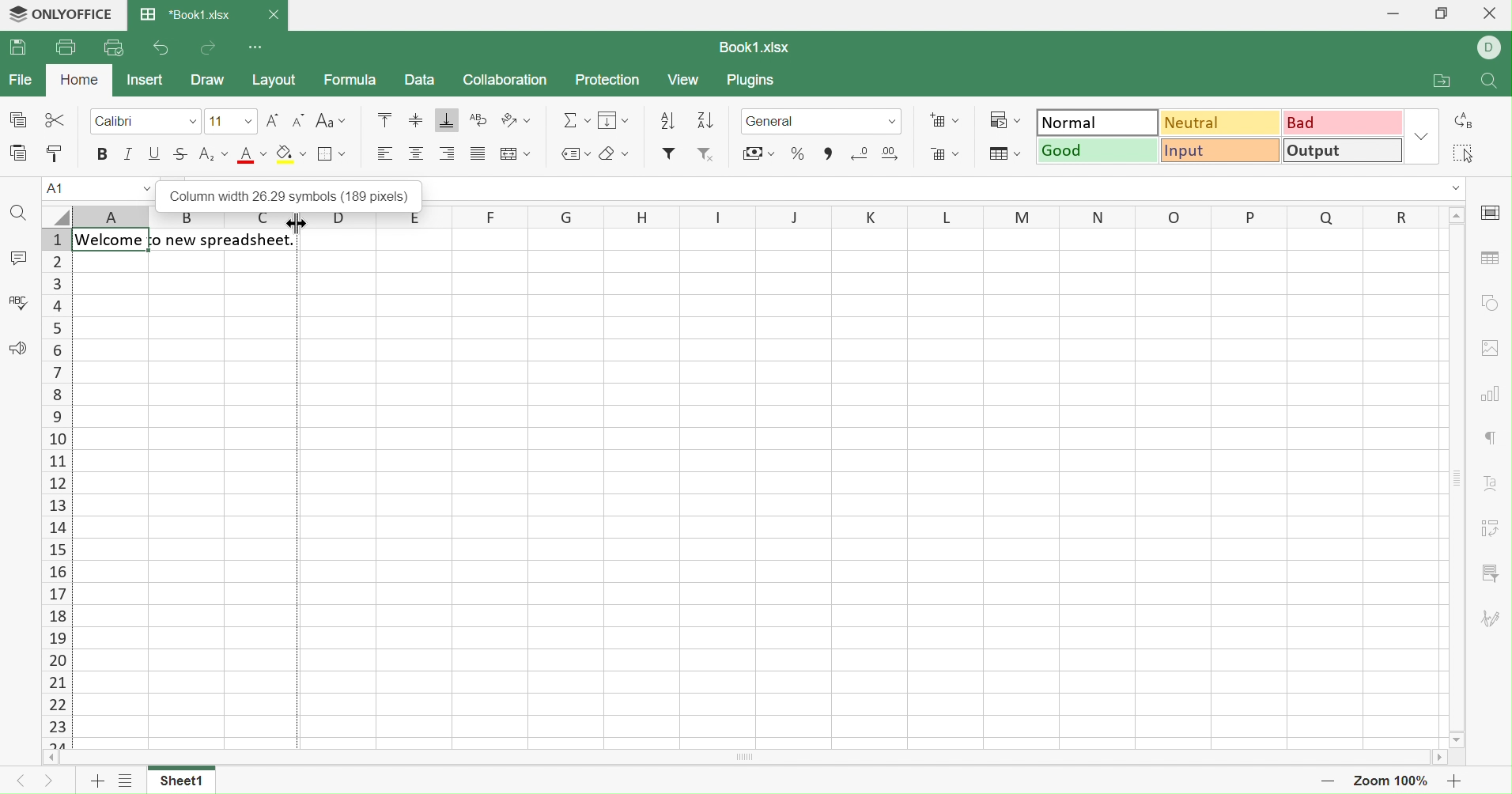 The height and width of the screenshot is (794, 1512). I want to click on Layout, so click(277, 81).